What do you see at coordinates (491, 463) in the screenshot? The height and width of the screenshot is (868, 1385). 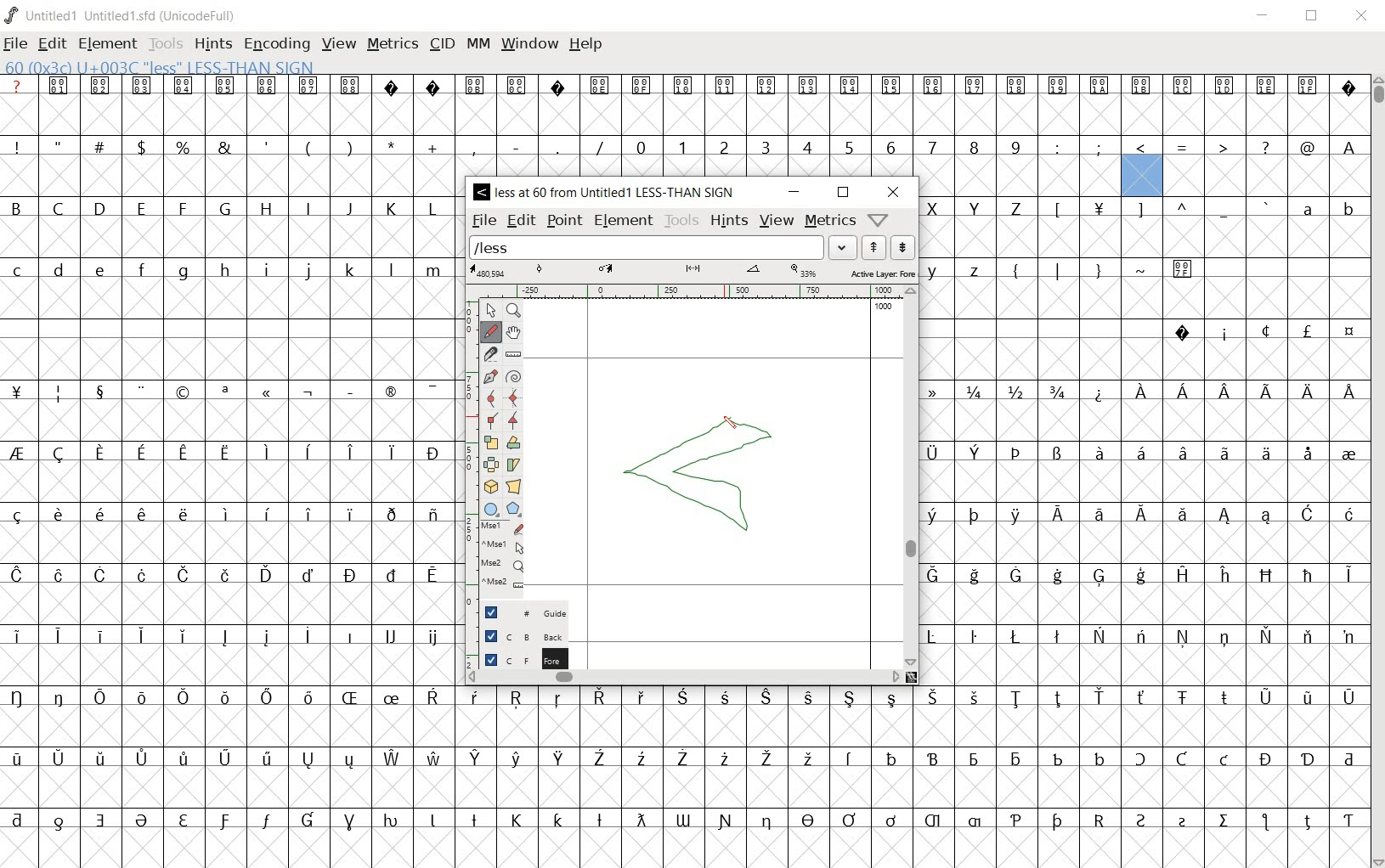 I see `flip the selection` at bounding box center [491, 463].